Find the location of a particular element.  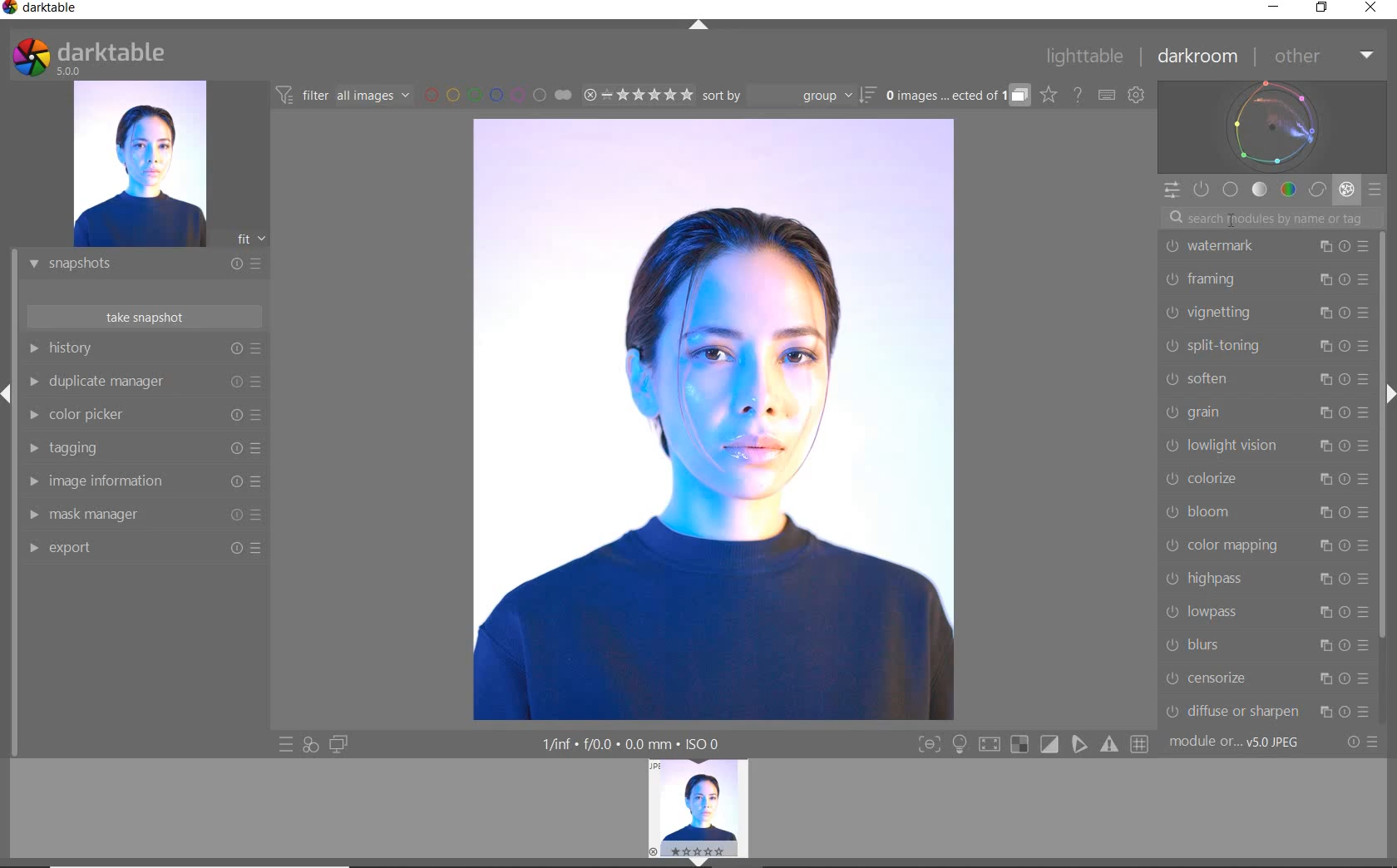

Button is located at coordinates (1019, 745).